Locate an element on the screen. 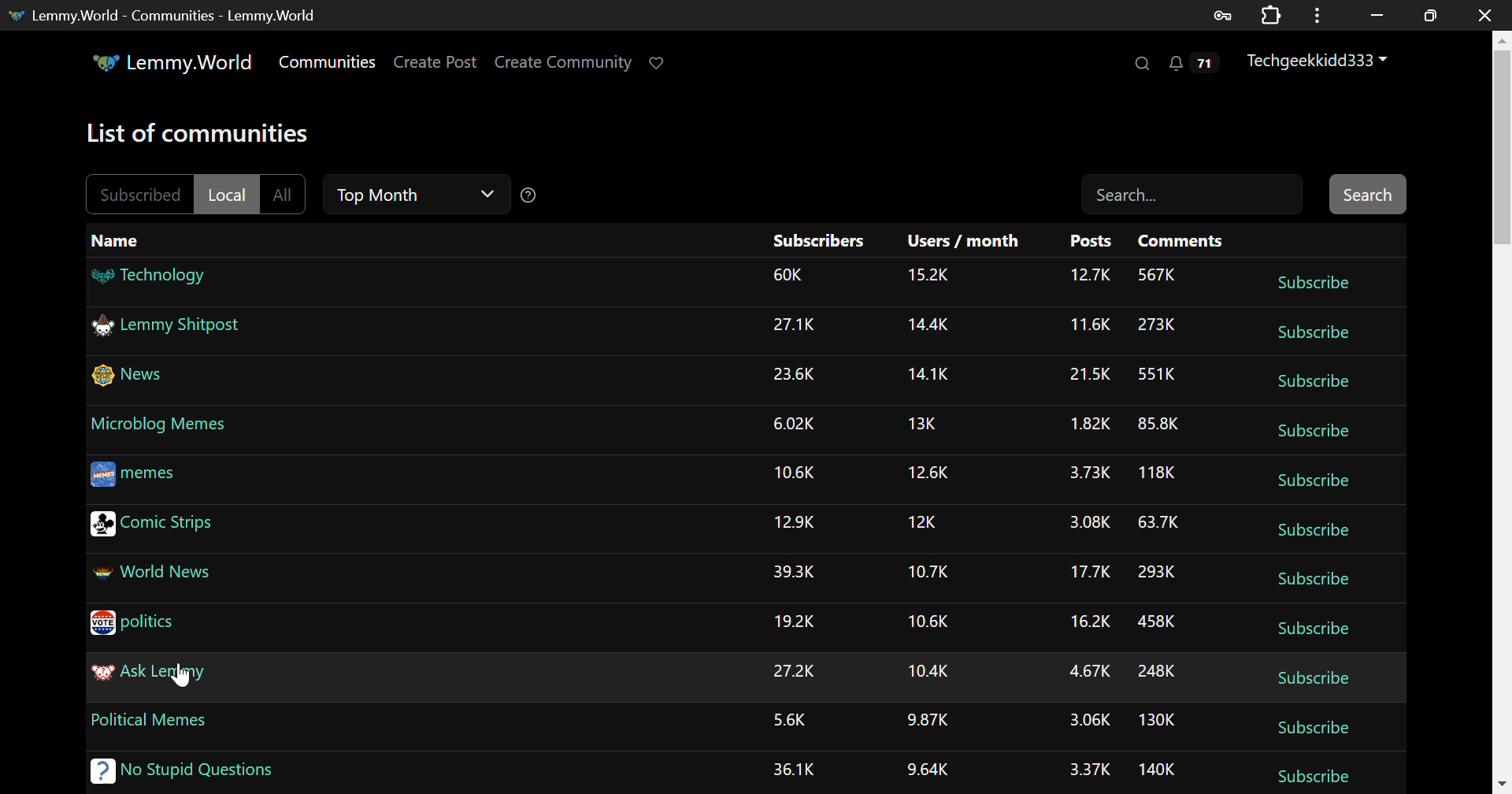 Image resolution: width=1512 pixels, height=794 pixels. Search Field is located at coordinates (1190, 194).